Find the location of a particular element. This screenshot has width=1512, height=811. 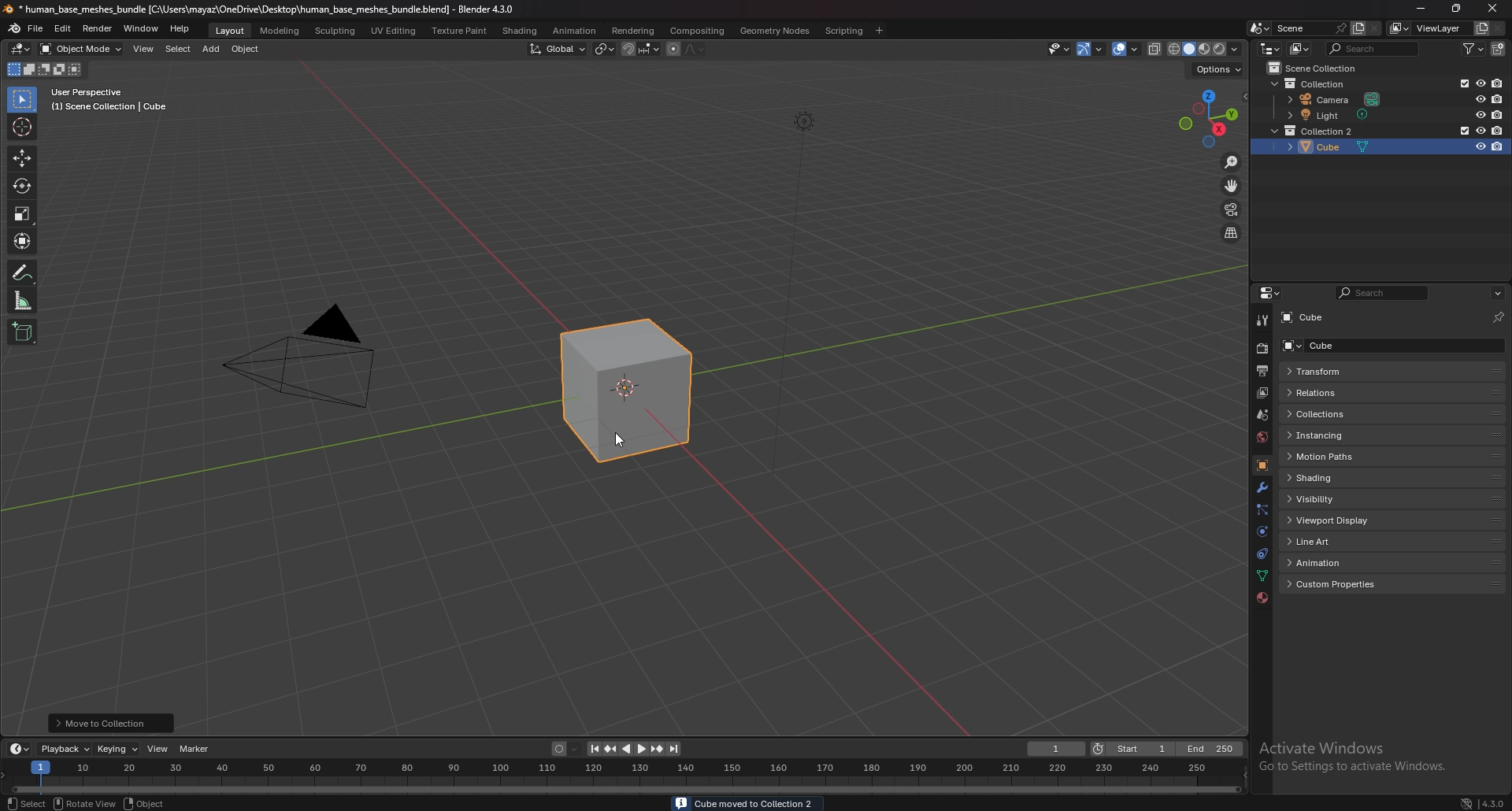

move is located at coordinates (1234, 185).